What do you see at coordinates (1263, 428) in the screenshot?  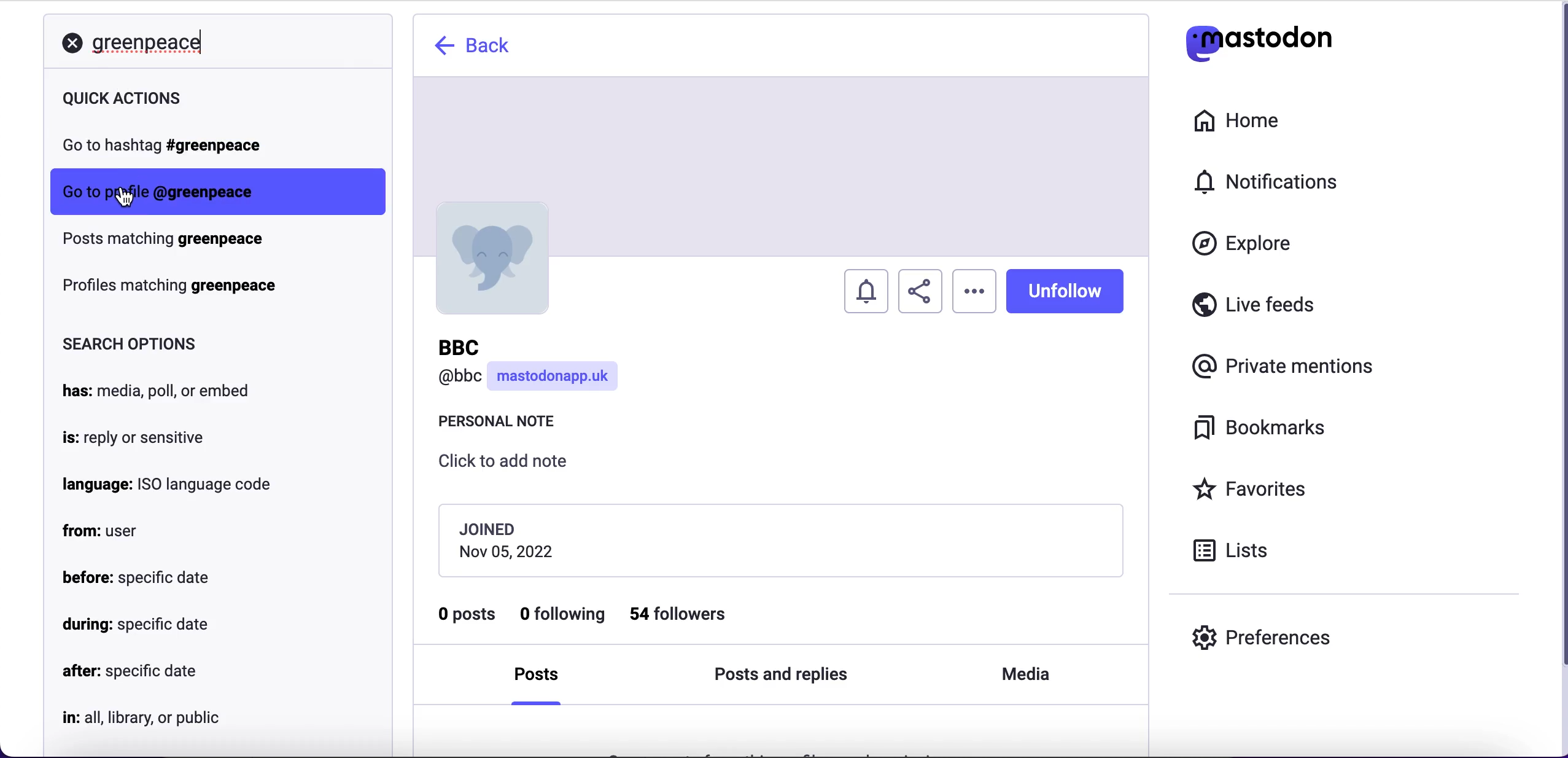 I see `bookmarks` at bounding box center [1263, 428].